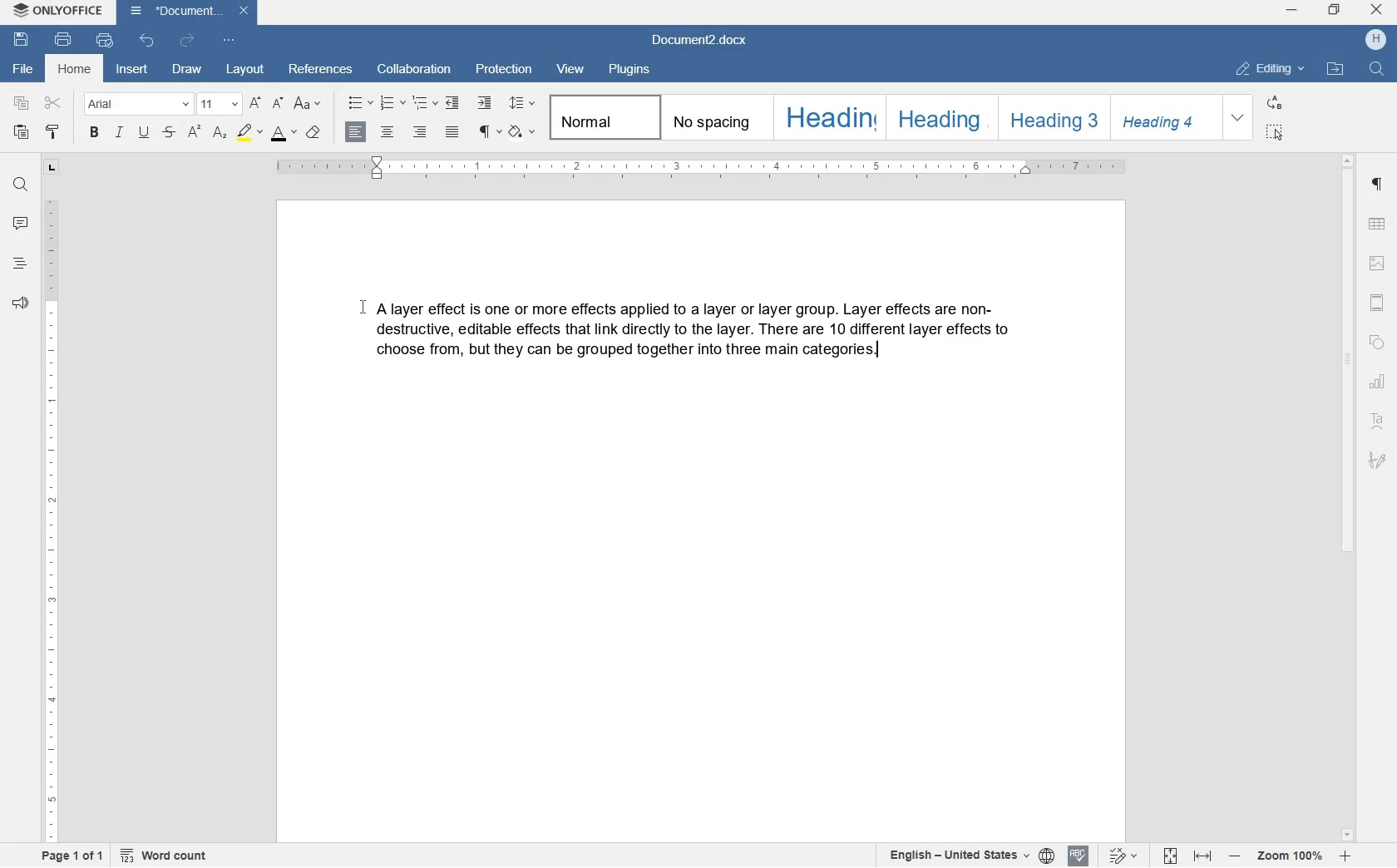 Image resolution: width=1397 pixels, height=868 pixels. What do you see at coordinates (320, 71) in the screenshot?
I see `references` at bounding box center [320, 71].